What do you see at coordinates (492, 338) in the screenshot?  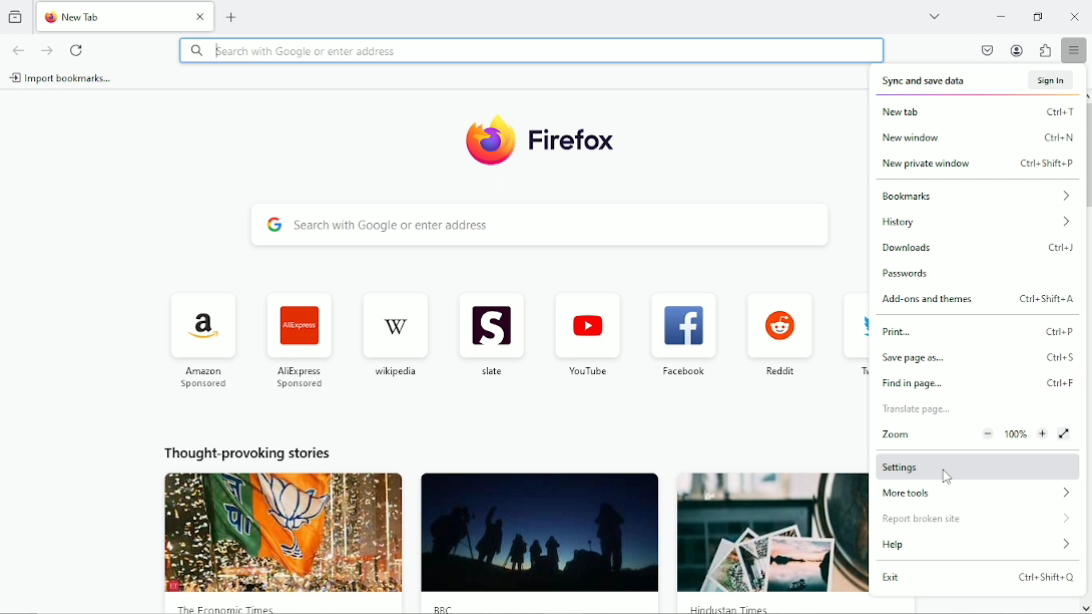 I see `slate` at bounding box center [492, 338].